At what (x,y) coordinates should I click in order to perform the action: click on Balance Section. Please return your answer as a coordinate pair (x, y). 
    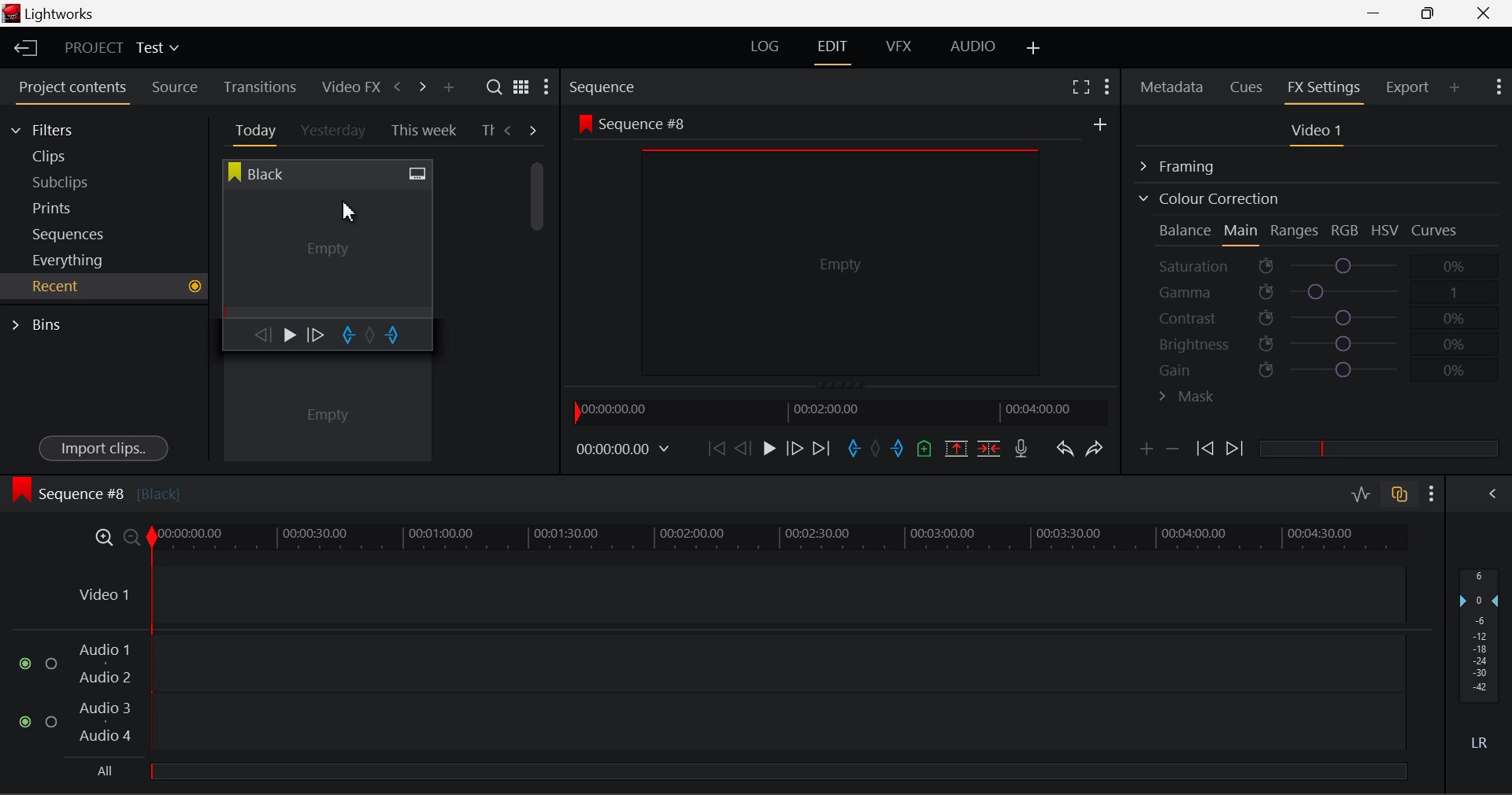
    Looking at the image, I should click on (1187, 230).